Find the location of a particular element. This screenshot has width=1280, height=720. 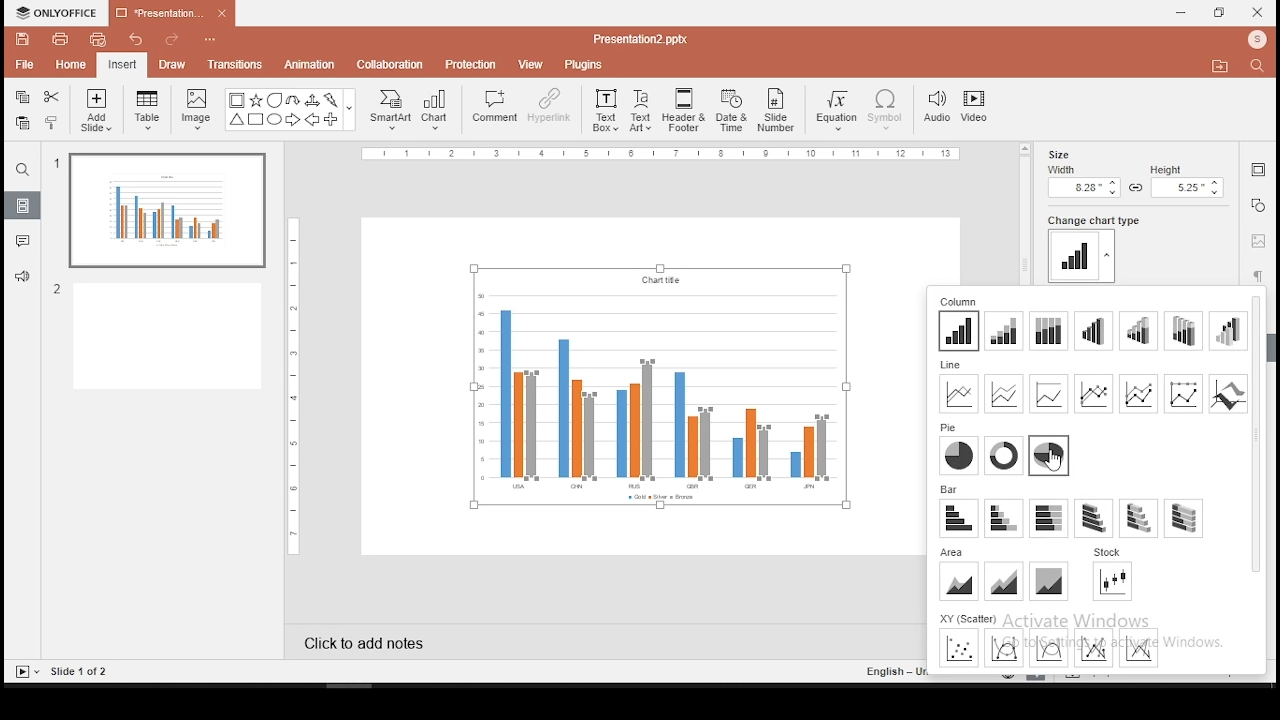

bar 2 is located at coordinates (1005, 518).